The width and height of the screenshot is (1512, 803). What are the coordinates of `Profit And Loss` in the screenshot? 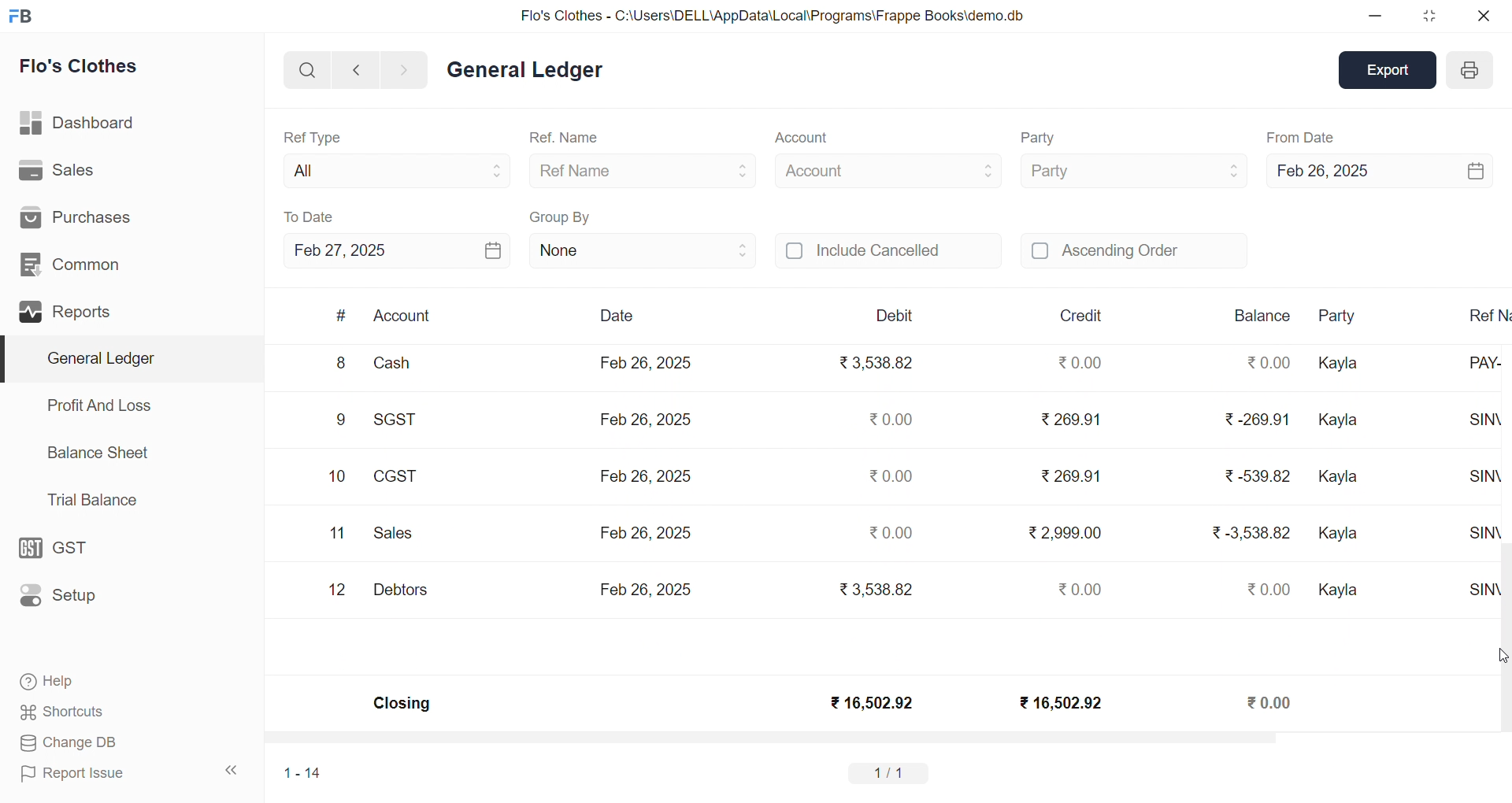 It's located at (98, 405).